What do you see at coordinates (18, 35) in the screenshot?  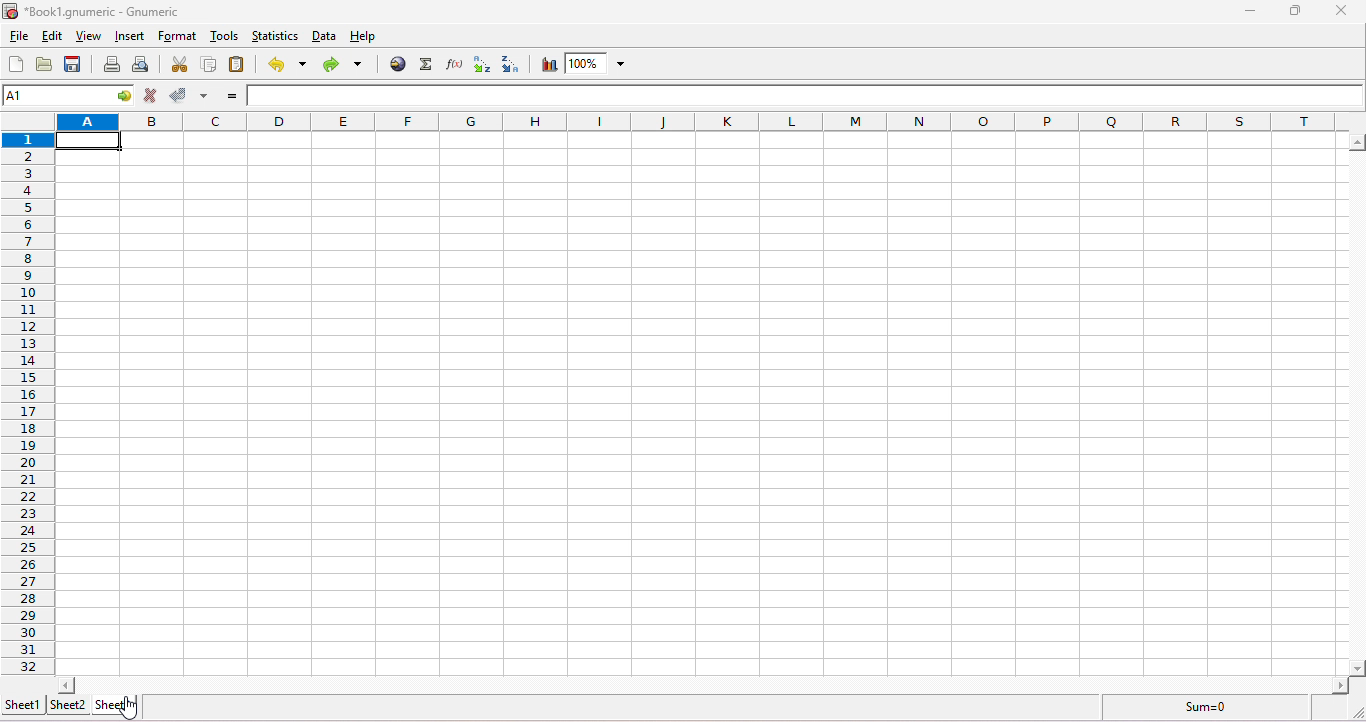 I see `file` at bounding box center [18, 35].